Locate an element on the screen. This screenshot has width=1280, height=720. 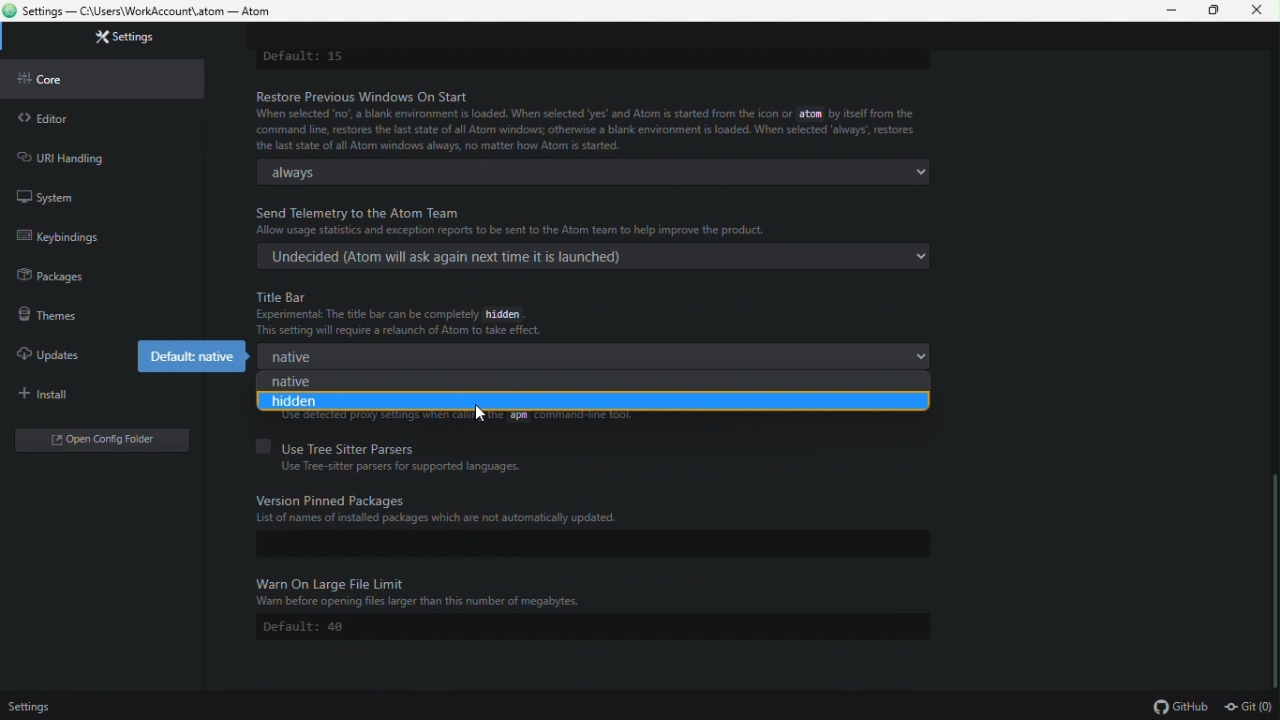
minimize is located at coordinates (1169, 11).